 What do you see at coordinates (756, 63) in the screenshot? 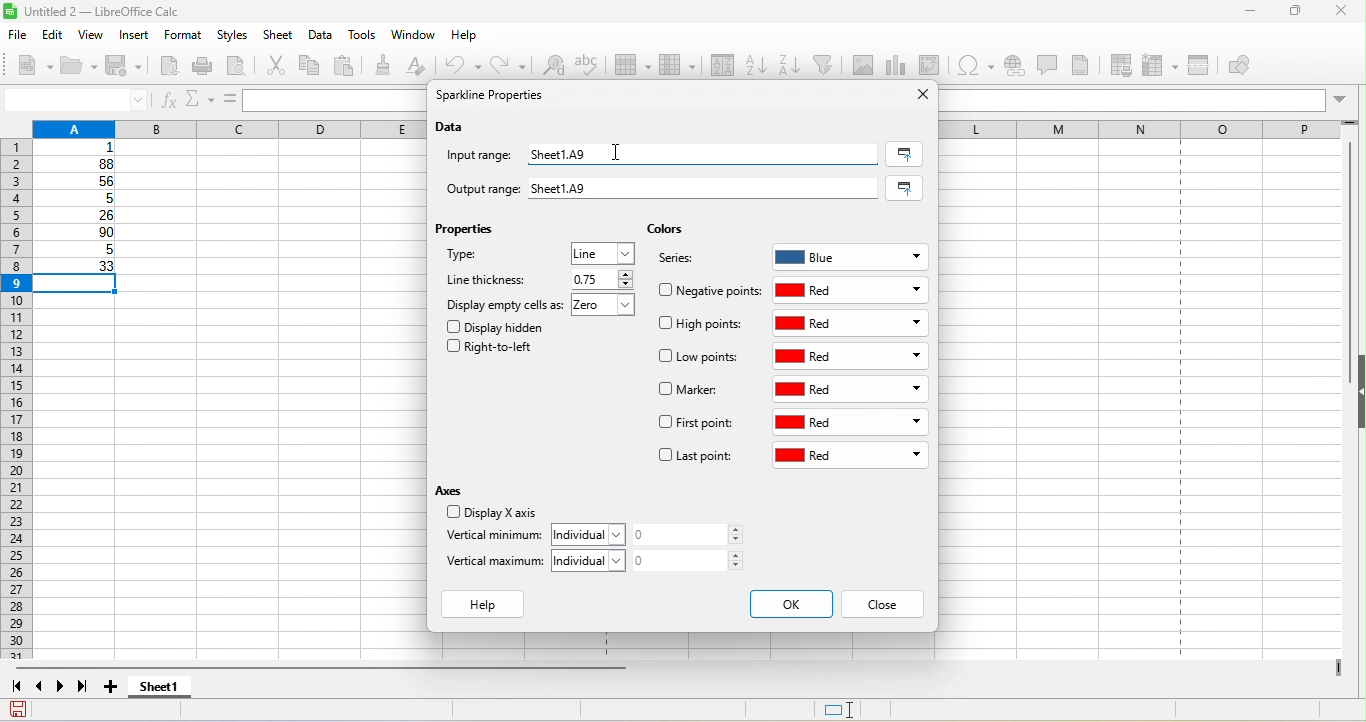
I see `sort ascending` at bounding box center [756, 63].